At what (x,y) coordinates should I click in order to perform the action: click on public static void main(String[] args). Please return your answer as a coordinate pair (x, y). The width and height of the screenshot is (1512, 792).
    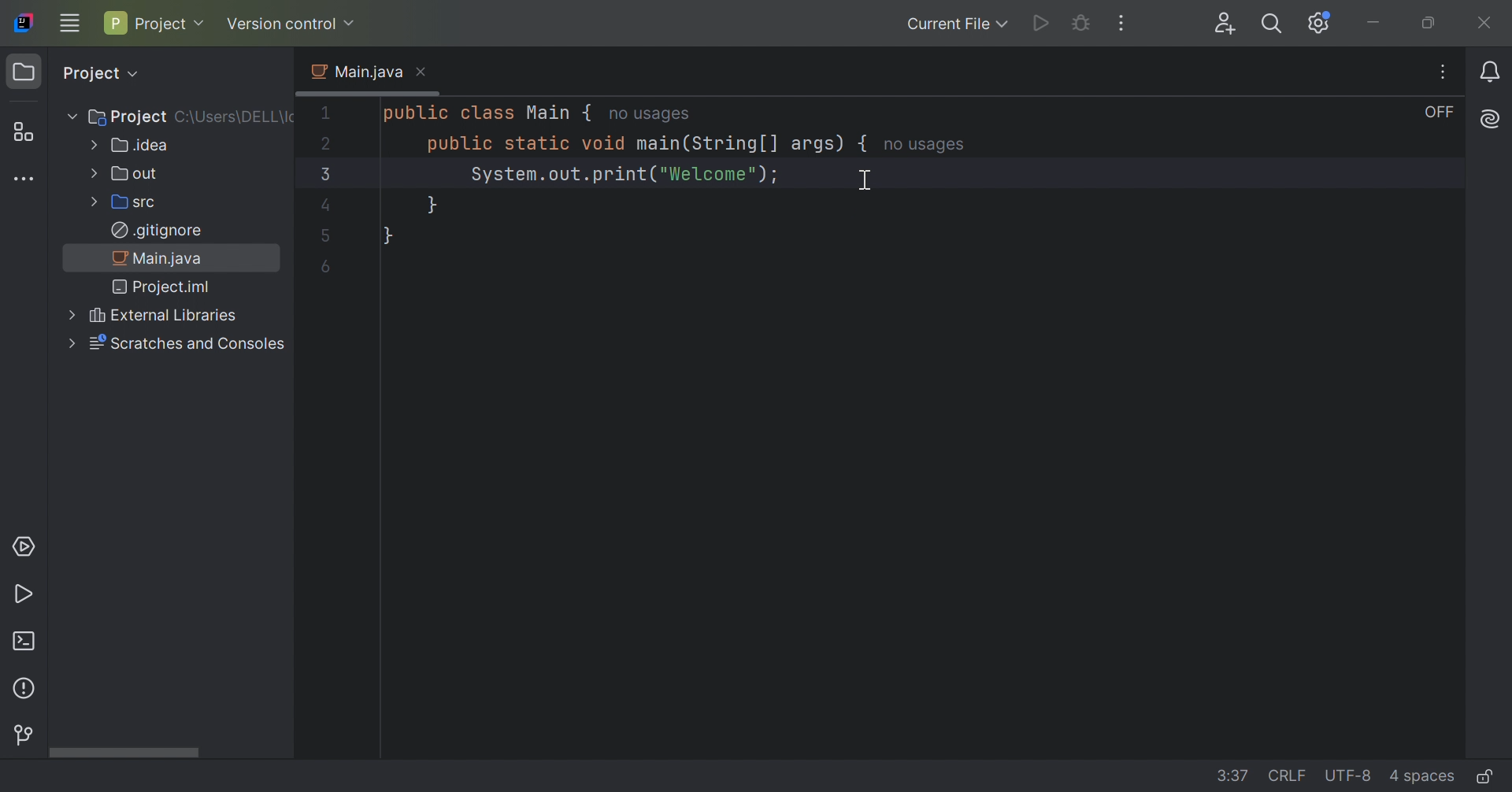
    Looking at the image, I should click on (632, 146).